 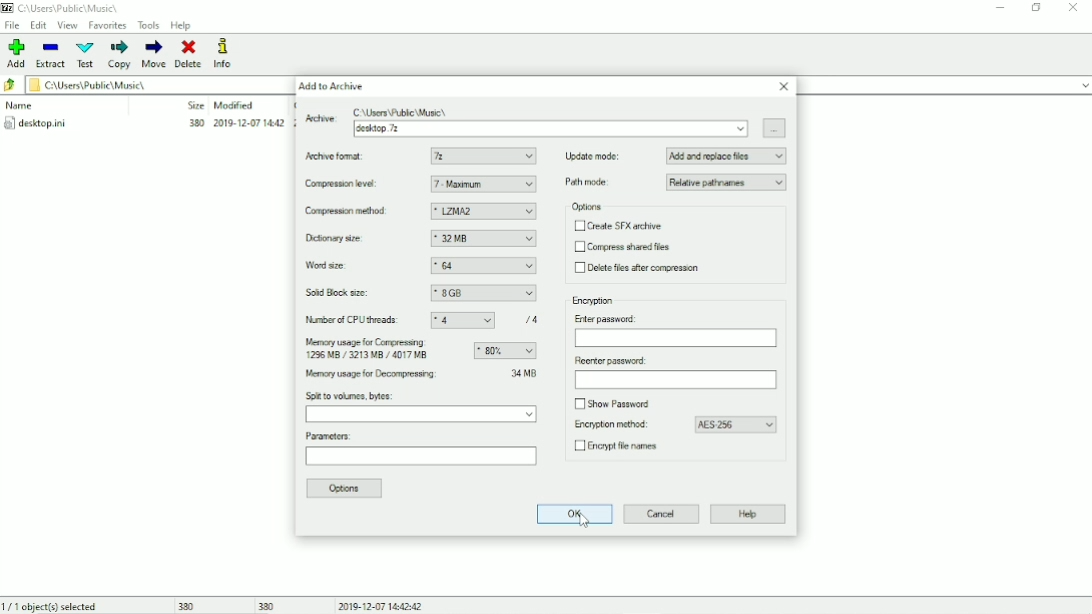 What do you see at coordinates (727, 182) in the screenshot?
I see `Relative pathnames` at bounding box center [727, 182].